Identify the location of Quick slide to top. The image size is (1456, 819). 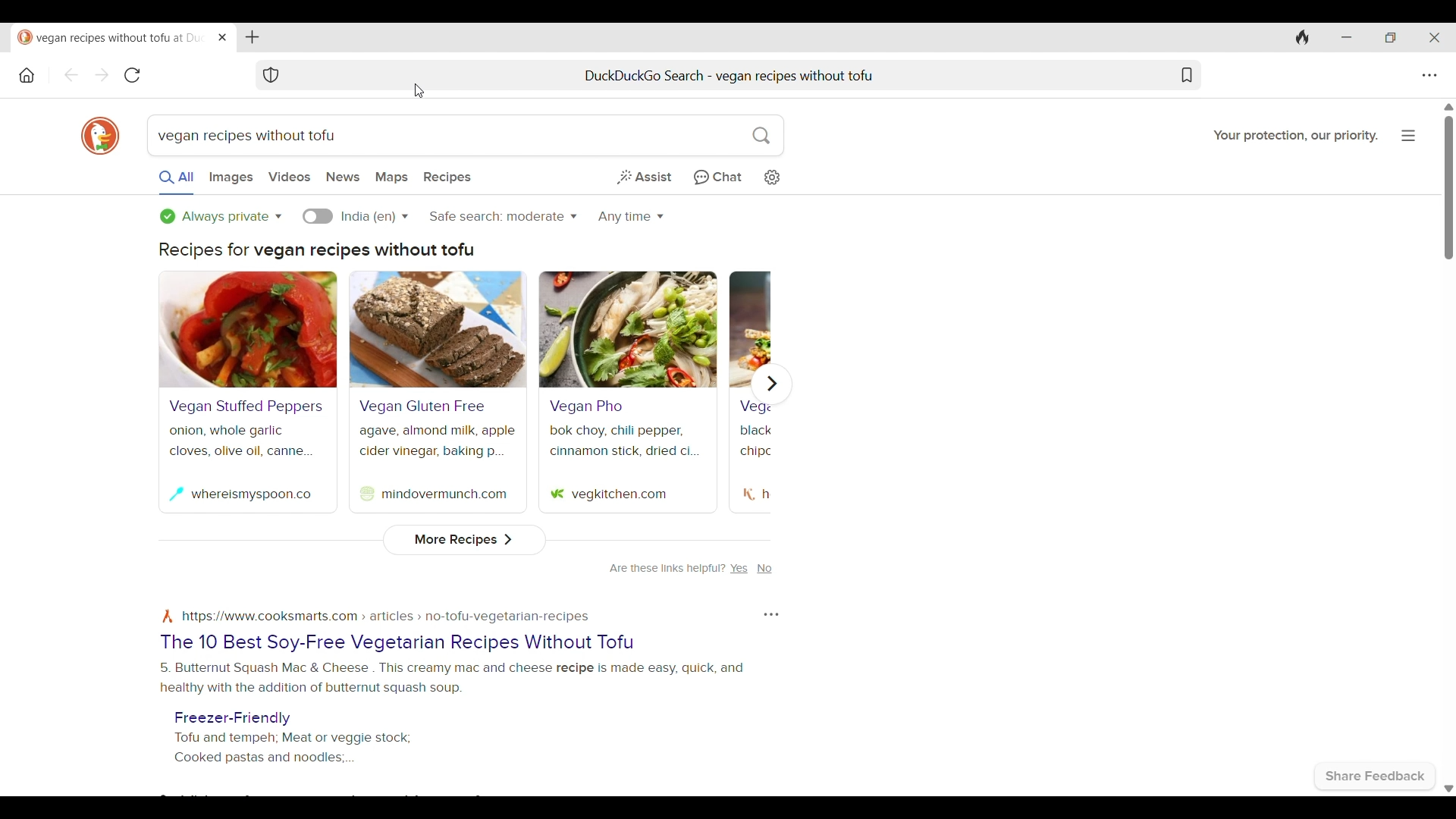
(1449, 107).